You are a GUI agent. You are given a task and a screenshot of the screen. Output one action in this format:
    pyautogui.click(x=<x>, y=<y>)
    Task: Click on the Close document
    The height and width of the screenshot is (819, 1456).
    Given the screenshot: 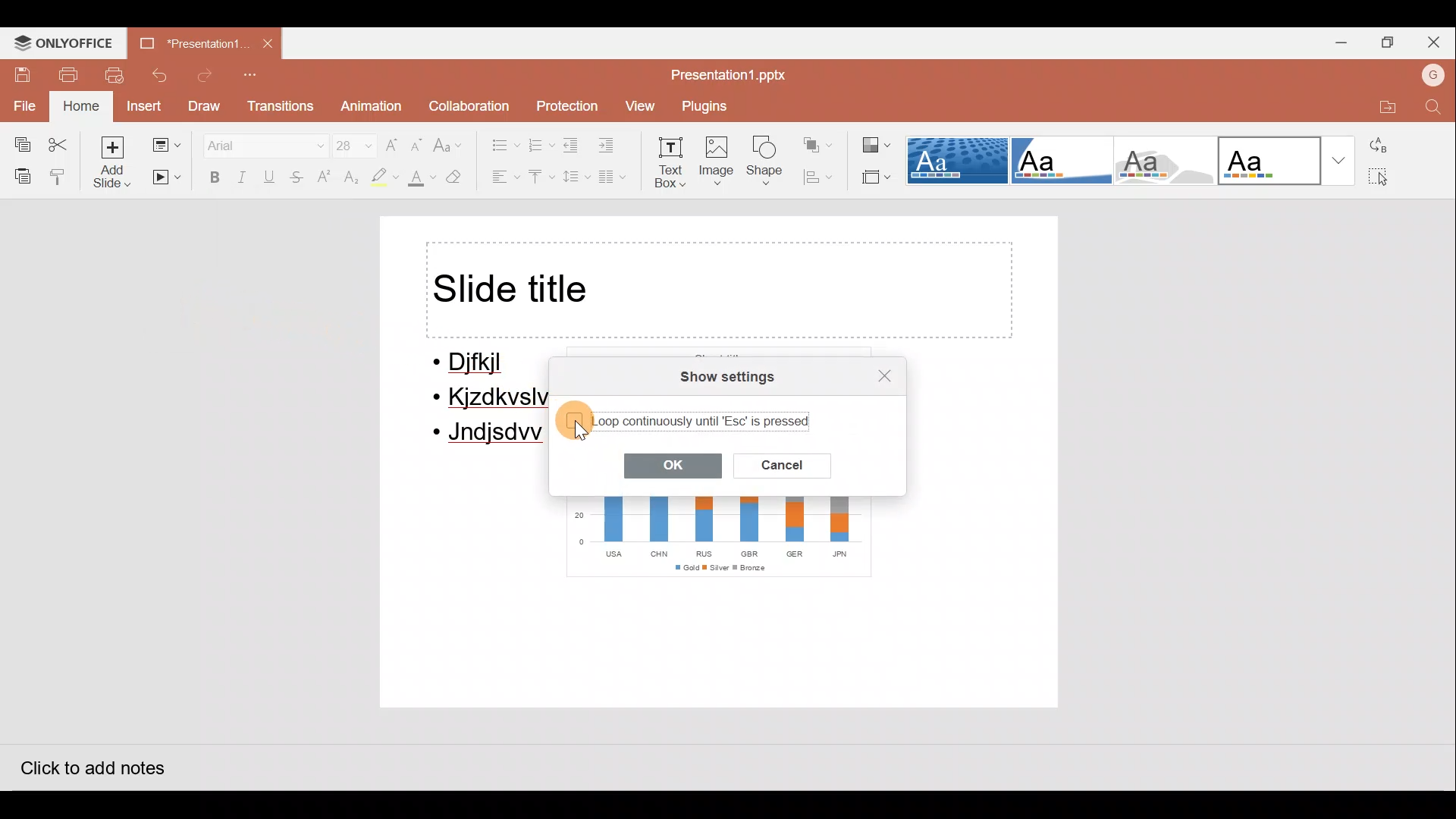 What is the action you would take?
    pyautogui.click(x=264, y=42)
    